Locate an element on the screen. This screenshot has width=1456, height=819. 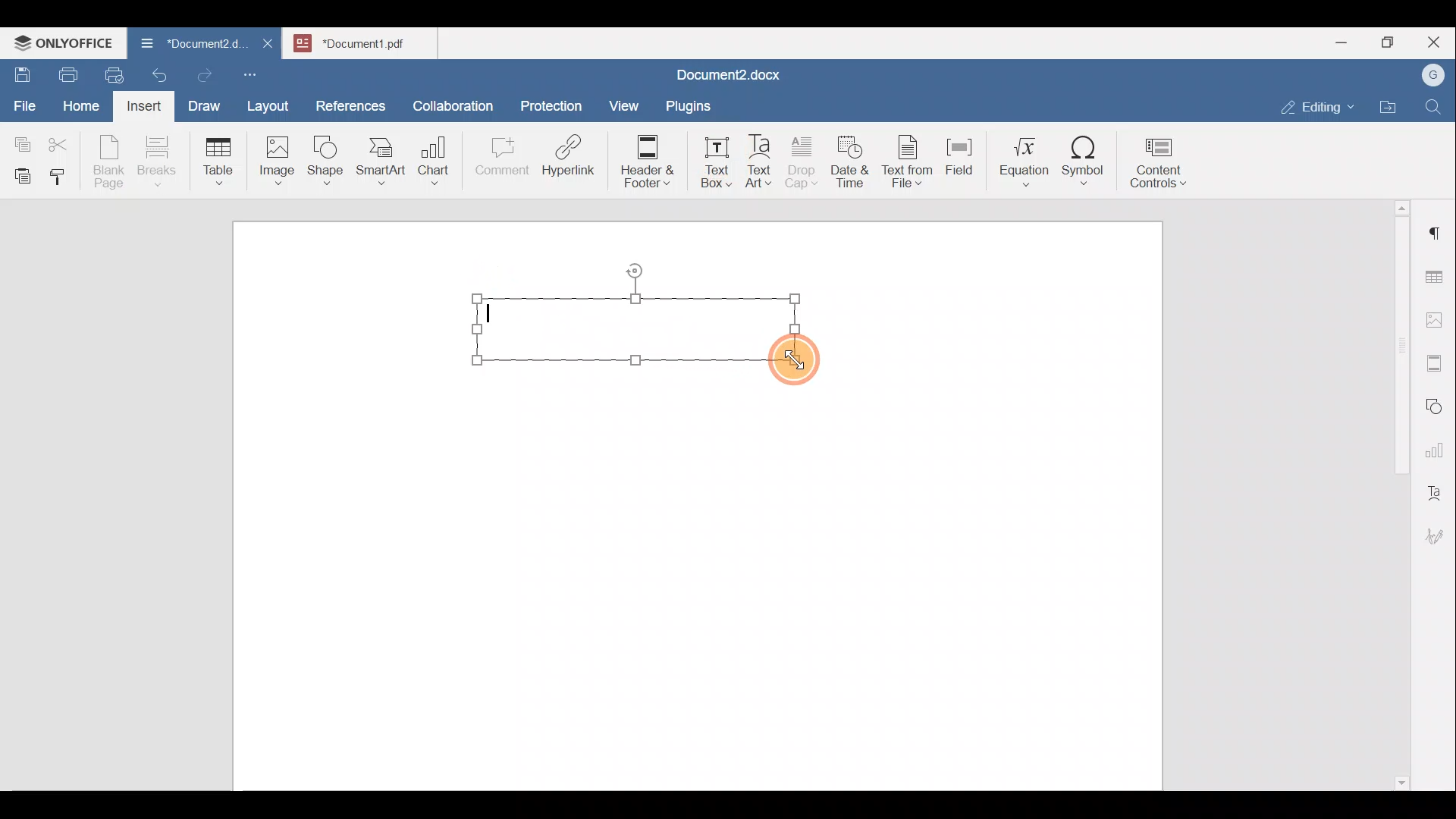
Text Art is located at coordinates (760, 162).